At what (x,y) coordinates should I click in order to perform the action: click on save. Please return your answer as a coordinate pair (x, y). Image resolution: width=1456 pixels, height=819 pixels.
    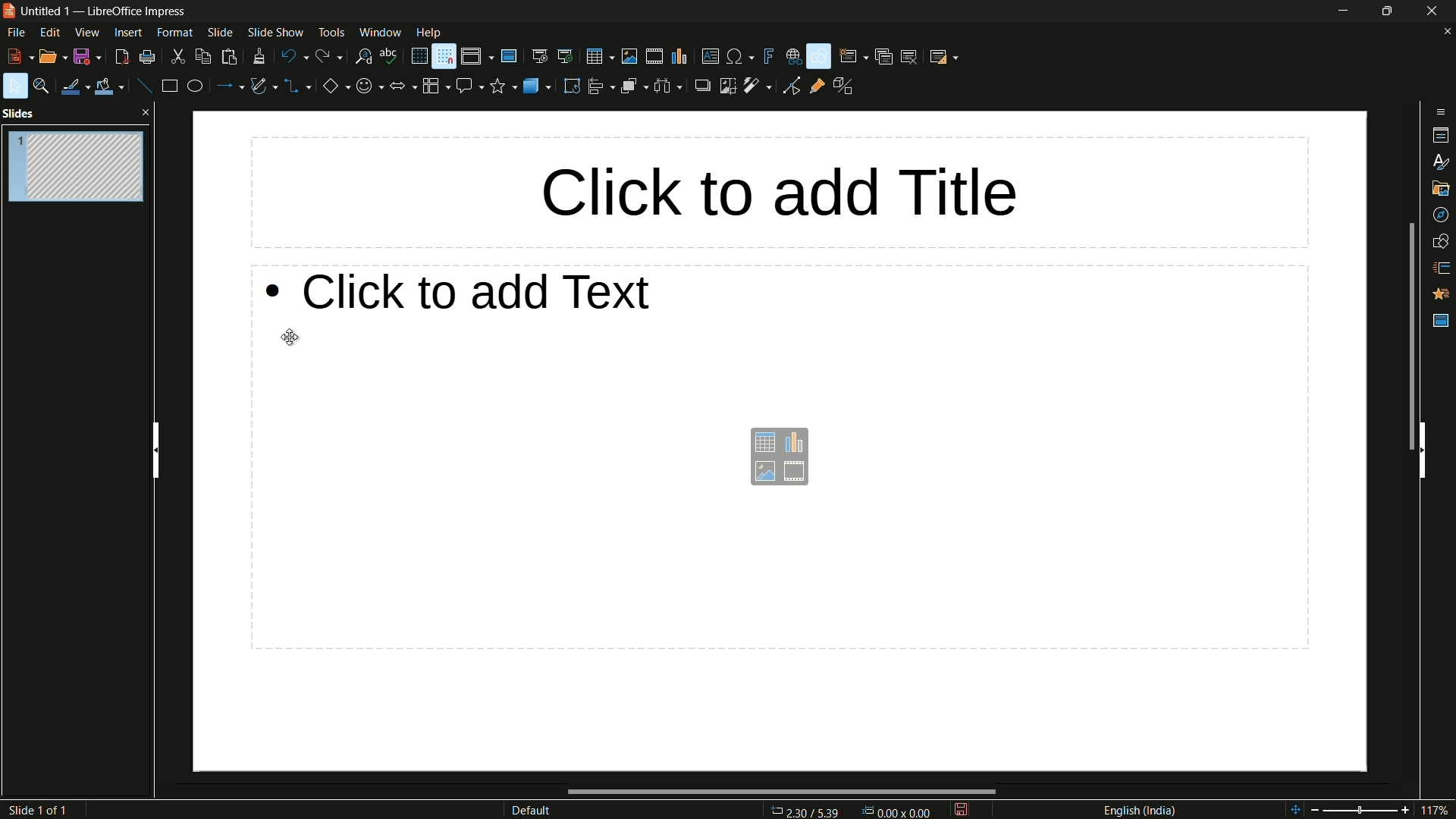
    Looking at the image, I should click on (86, 57).